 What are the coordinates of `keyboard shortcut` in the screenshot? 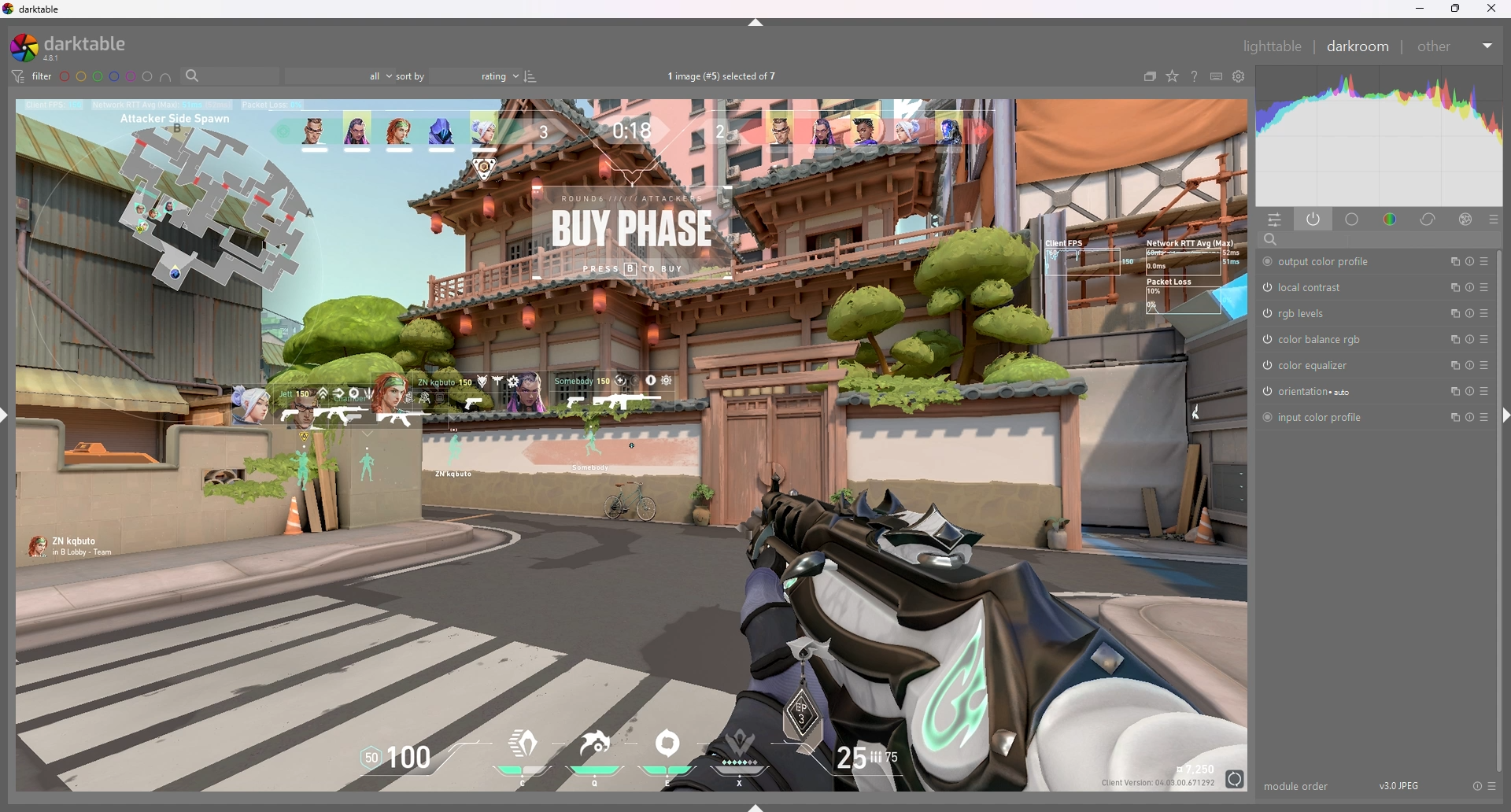 It's located at (1217, 76).